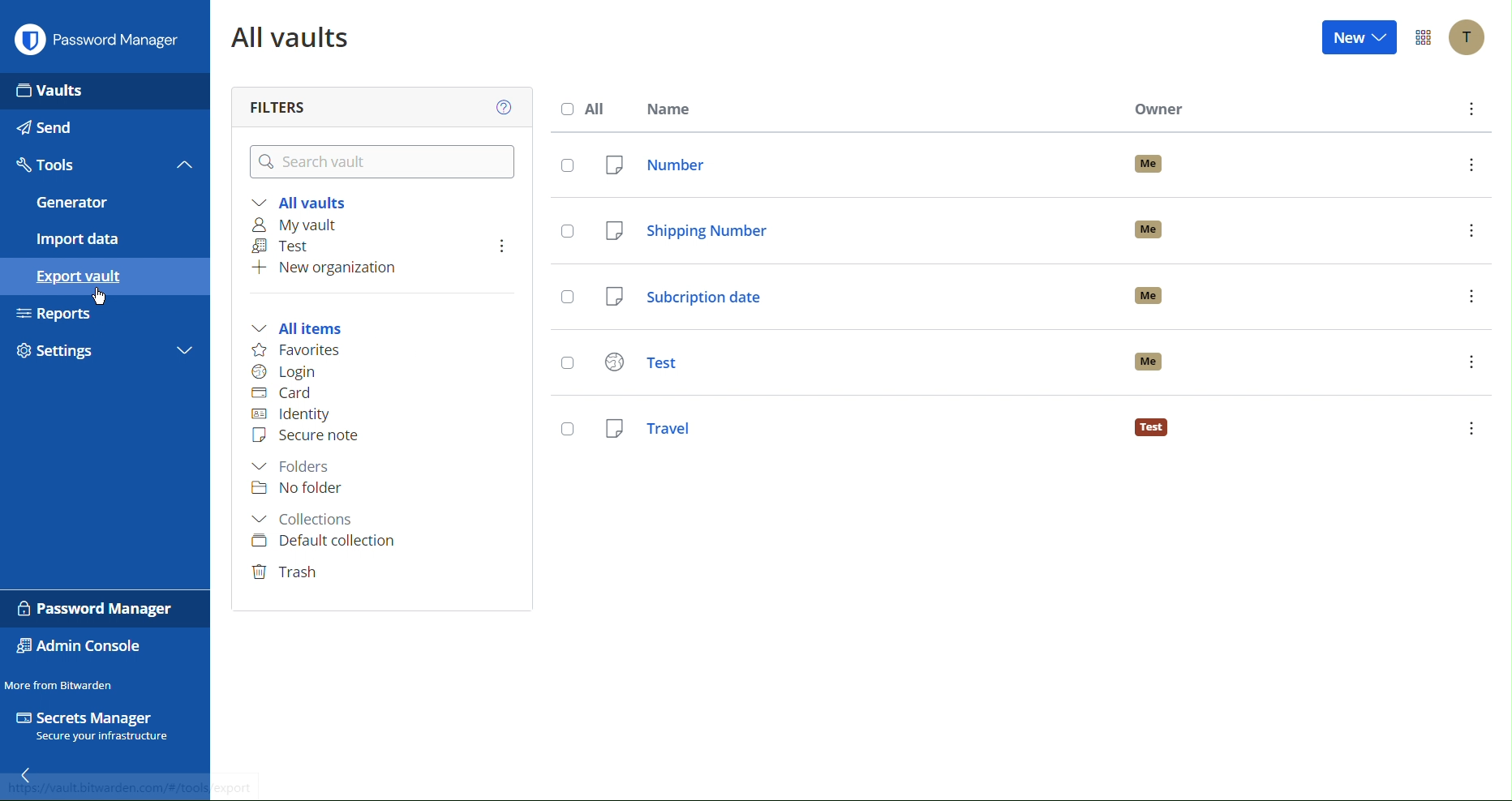 Image resolution: width=1512 pixels, height=801 pixels. Describe the element at coordinates (287, 415) in the screenshot. I see `Identity` at that location.